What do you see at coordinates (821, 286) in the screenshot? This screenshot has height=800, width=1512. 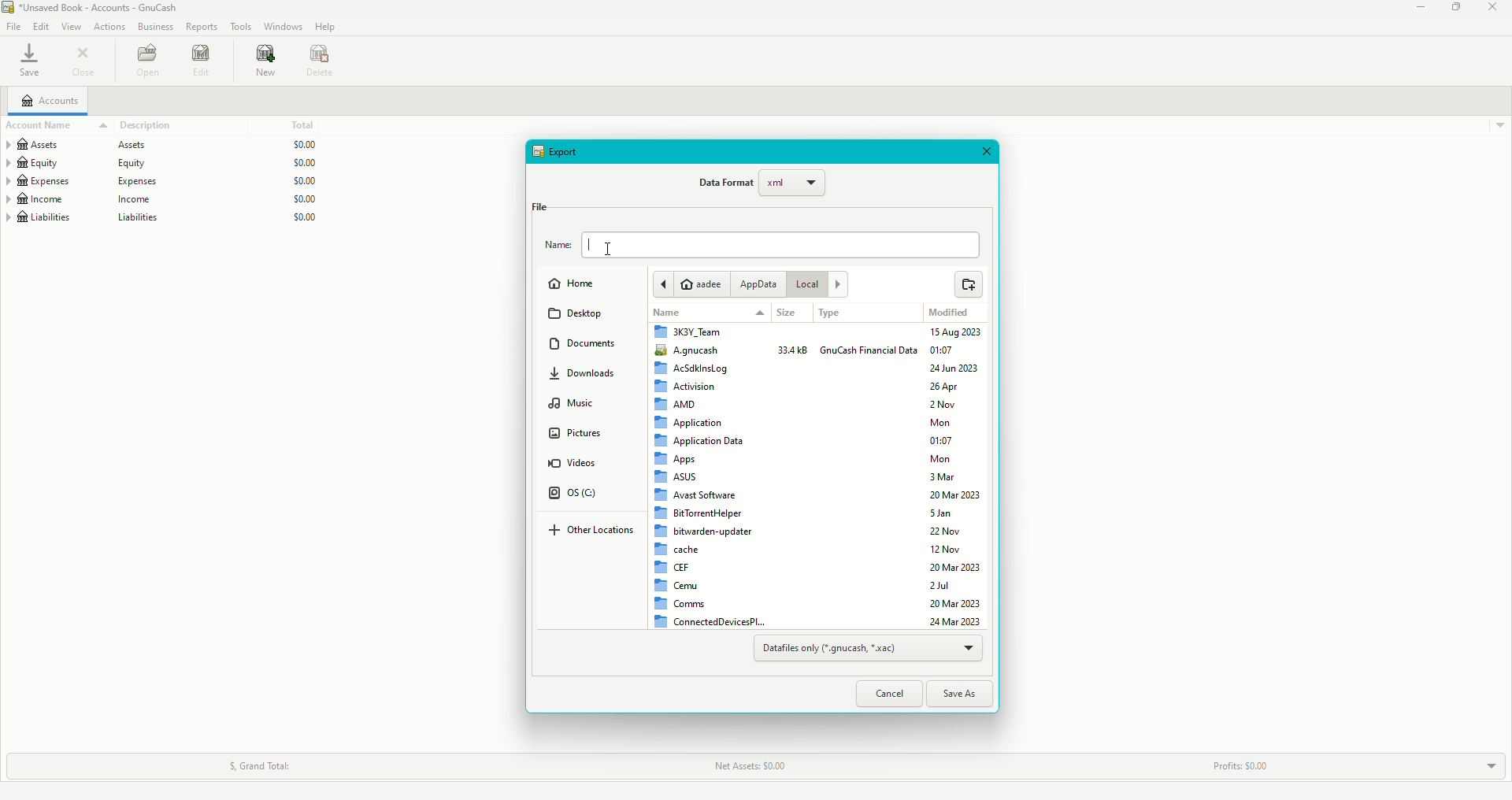 I see `Local` at bounding box center [821, 286].